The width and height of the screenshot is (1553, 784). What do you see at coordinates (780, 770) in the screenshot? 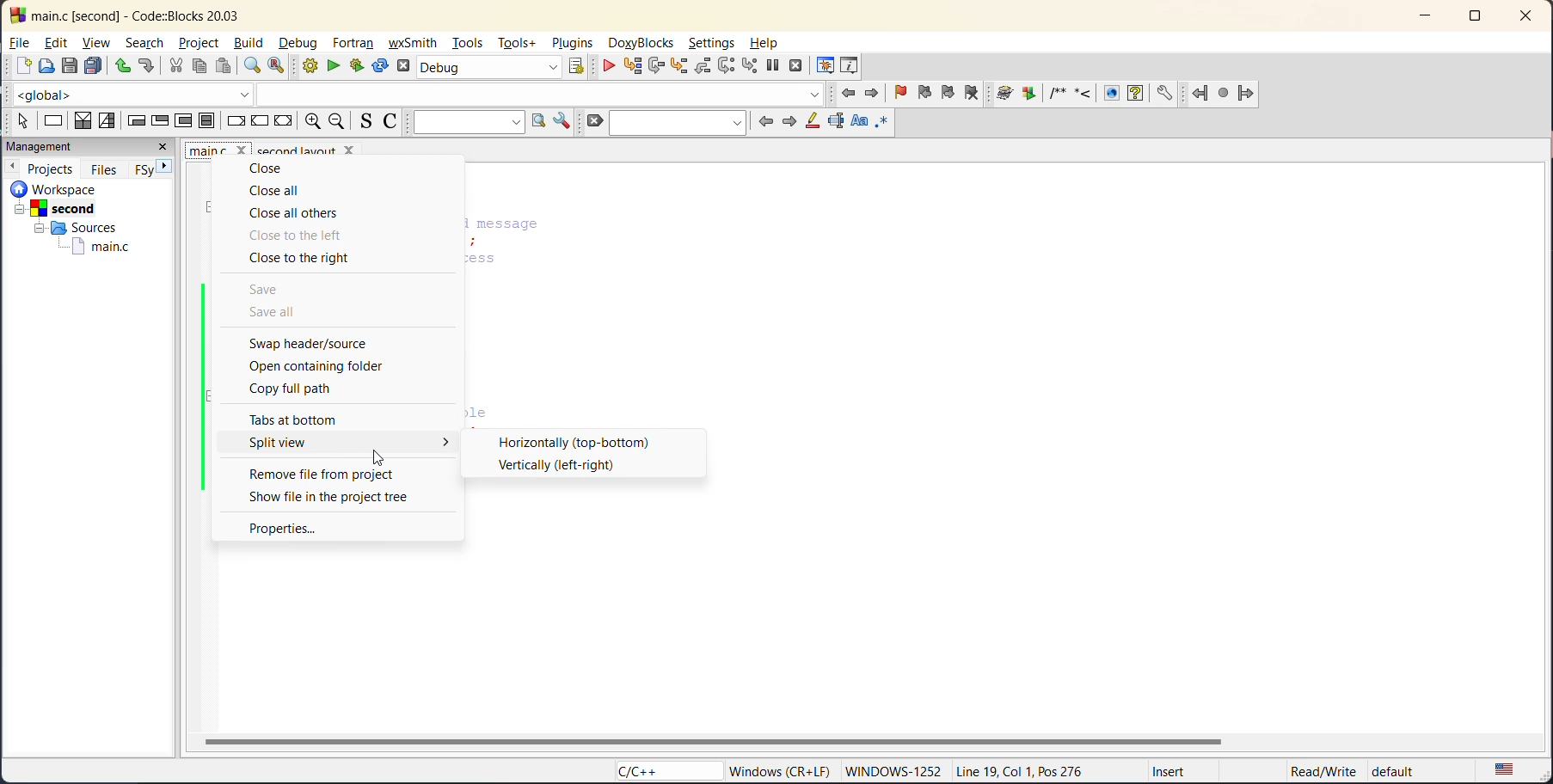
I see `metadata` at bounding box center [780, 770].